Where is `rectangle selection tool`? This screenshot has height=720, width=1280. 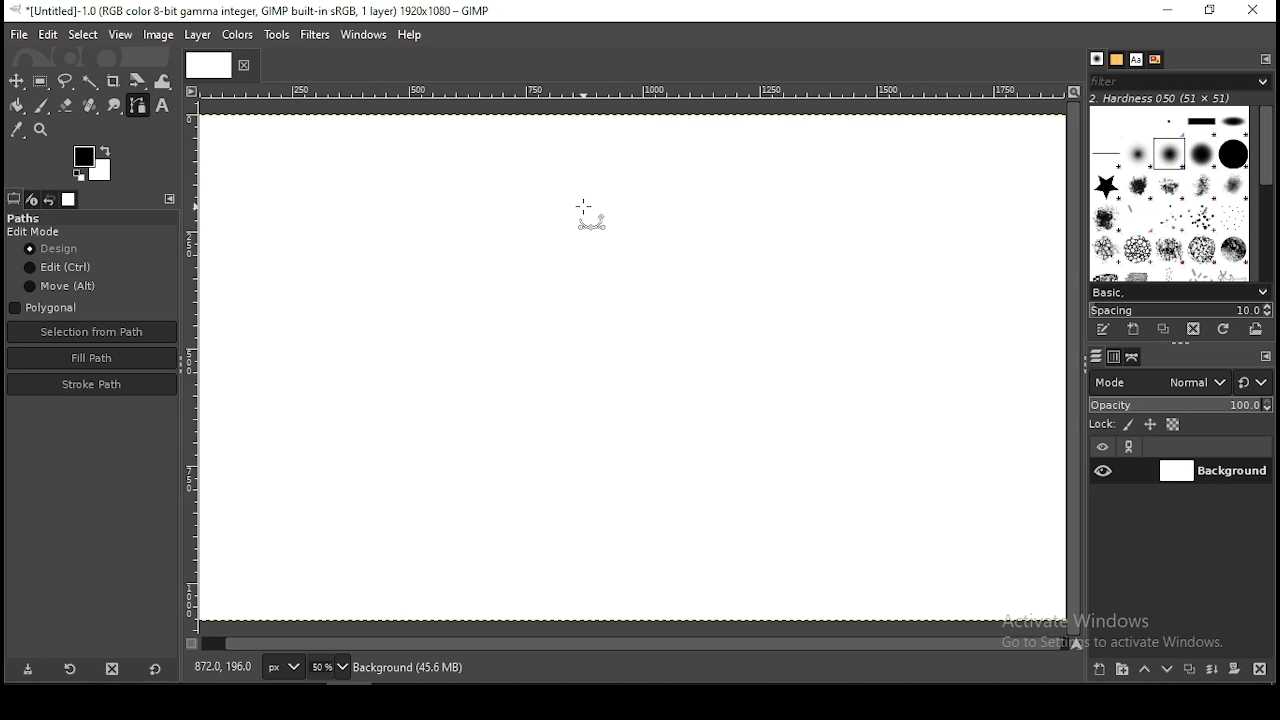
rectangle selection tool is located at coordinates (38, 80).